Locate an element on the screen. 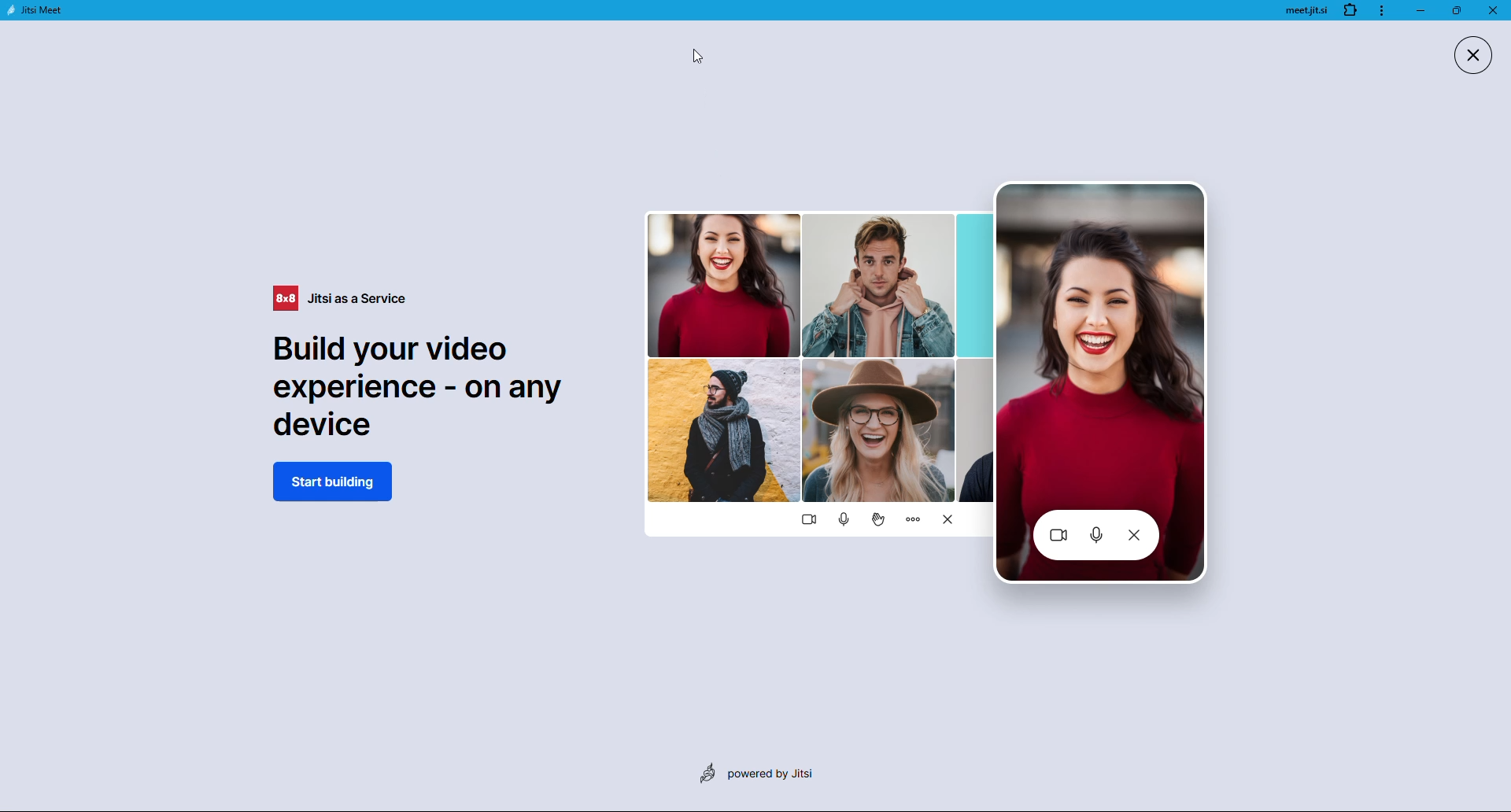  close is located at coordinates (1494, 10).